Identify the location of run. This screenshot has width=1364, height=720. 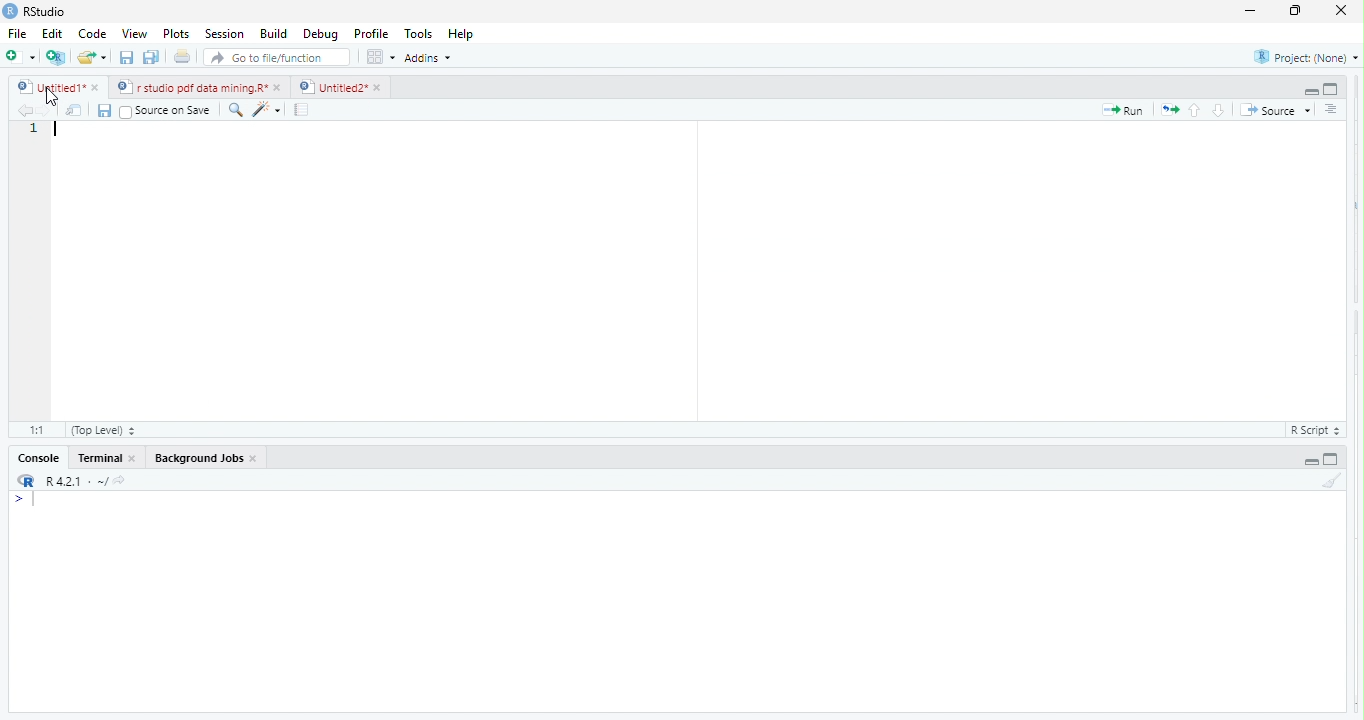
(1124, 111).